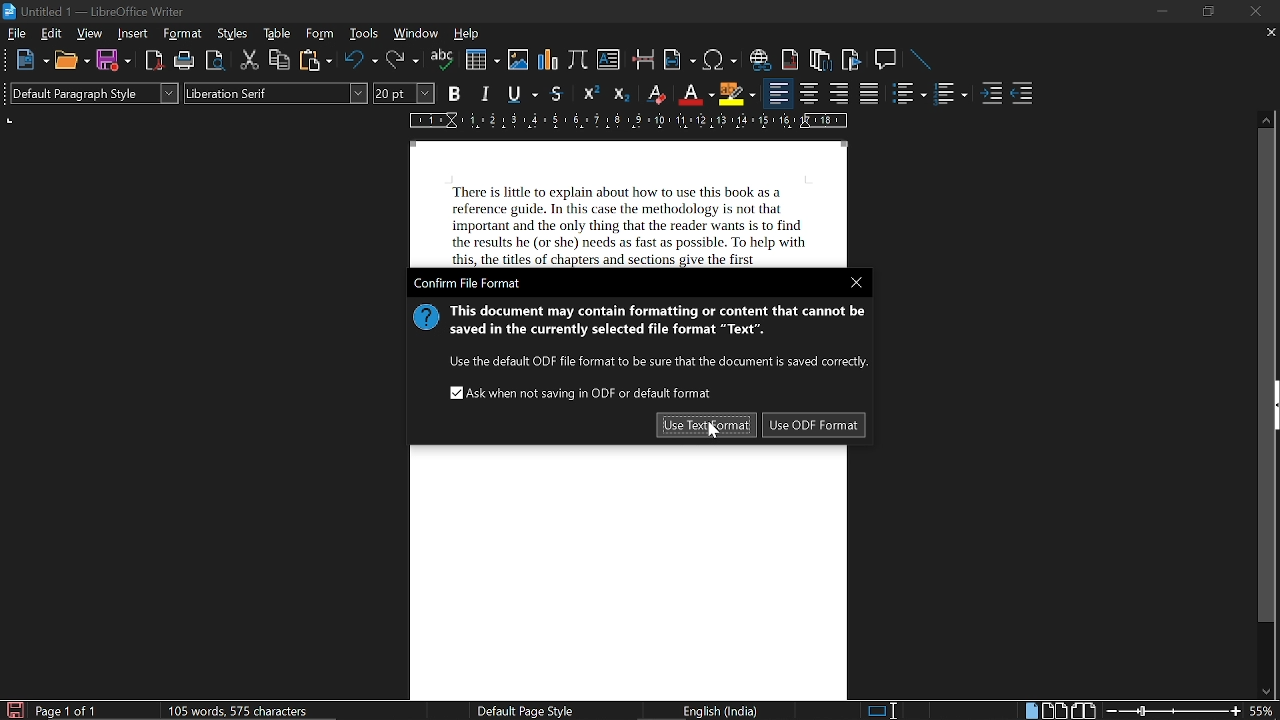  I want to click on close, so click(857, 282).